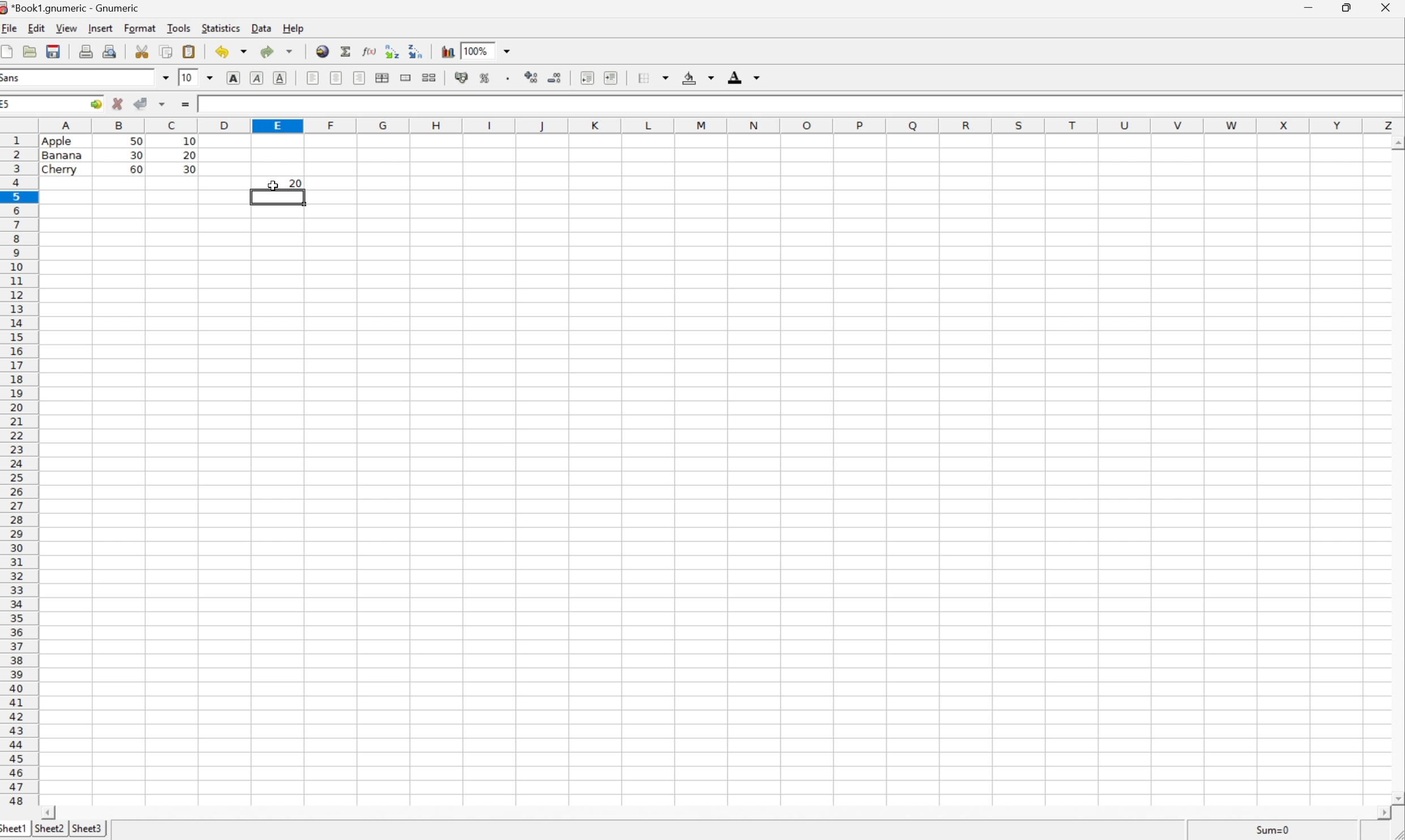 This screenshot has height=840, width=1405. I want to click on increase indent, so click(611, 77).